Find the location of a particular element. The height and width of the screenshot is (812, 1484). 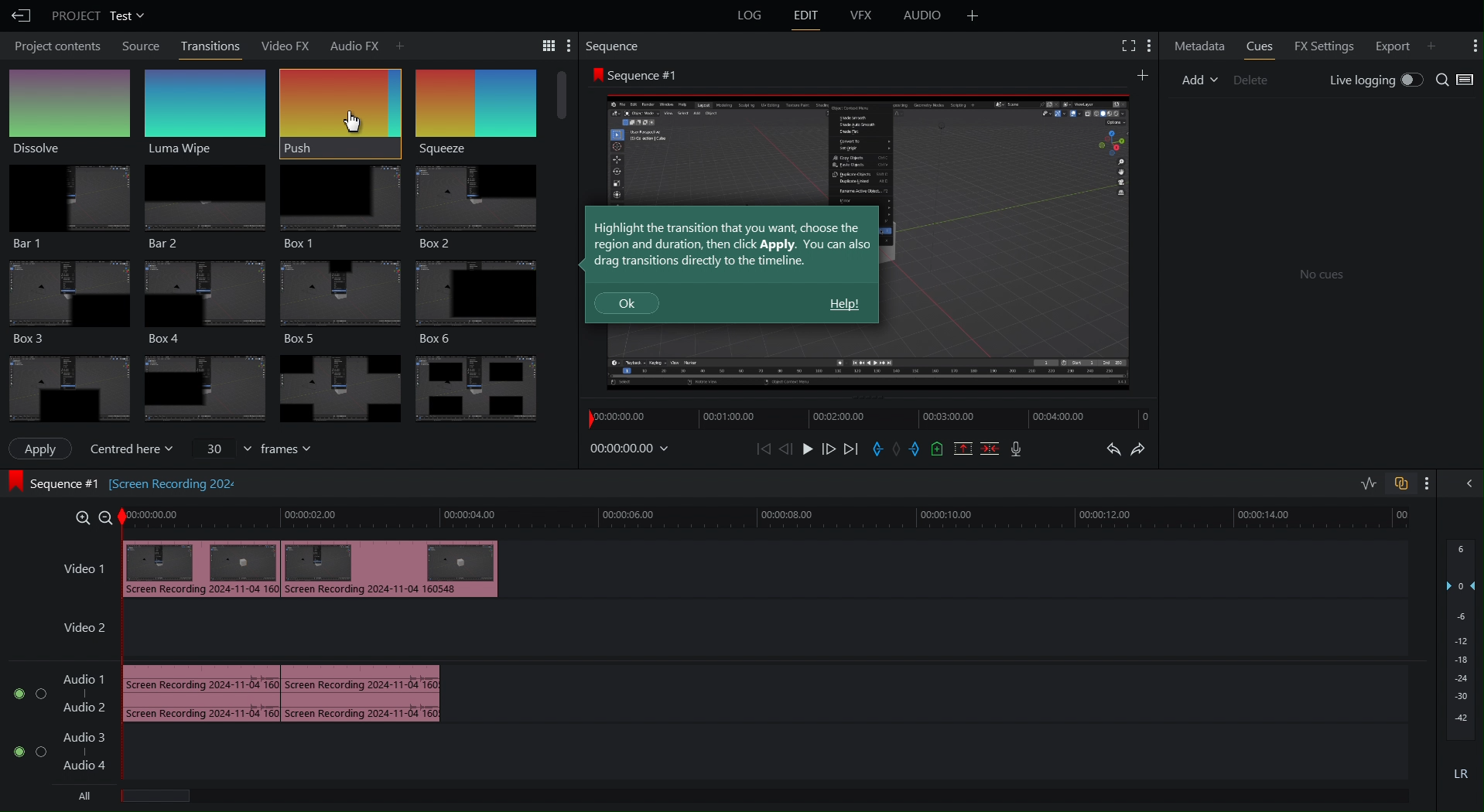

Logs is located at coordinates (742, 19).